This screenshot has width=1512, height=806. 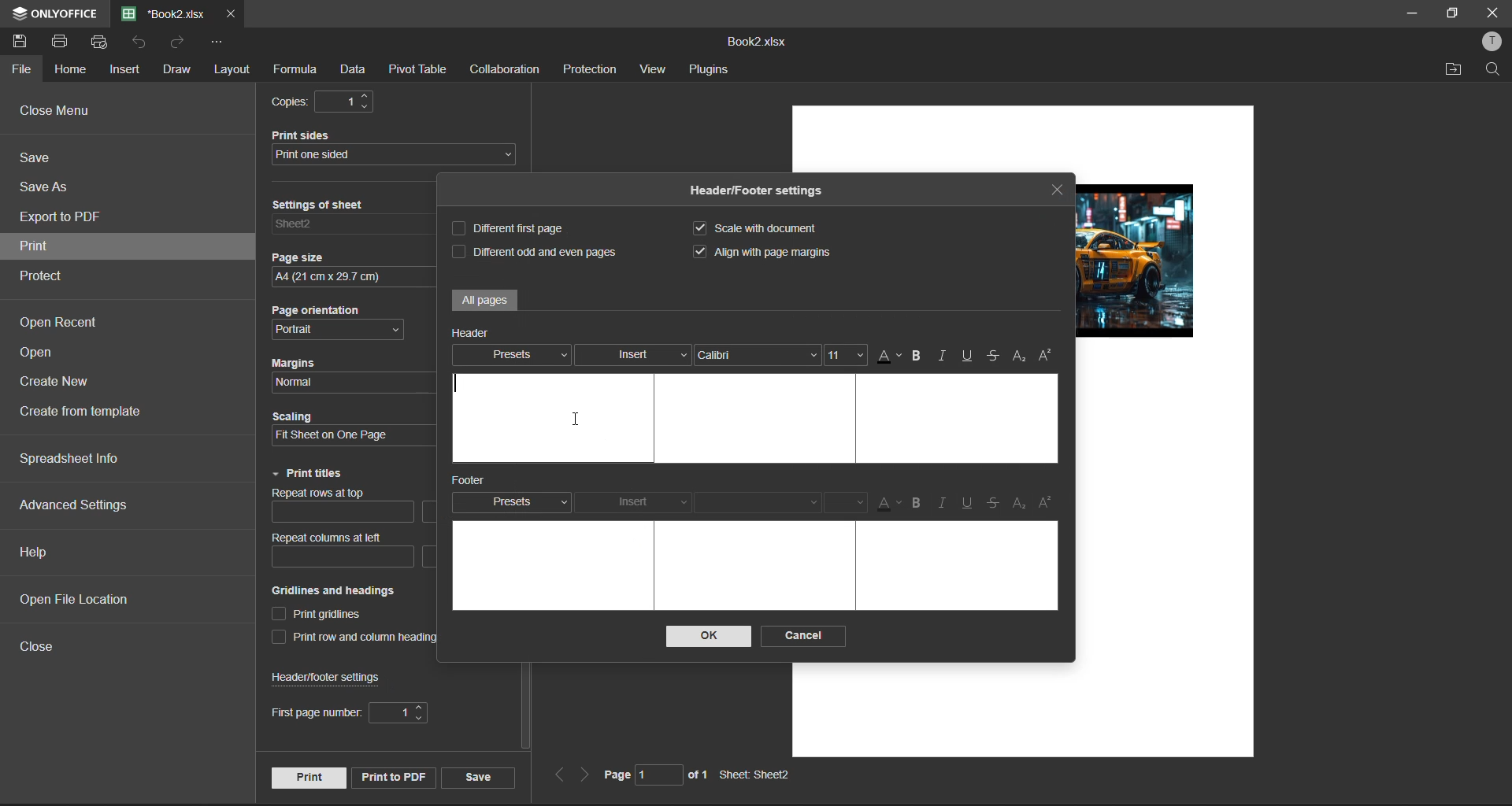 What do you see at coordinates (145, 45) in the screenshot?
I see `undo` at bounding box center [145, 45].